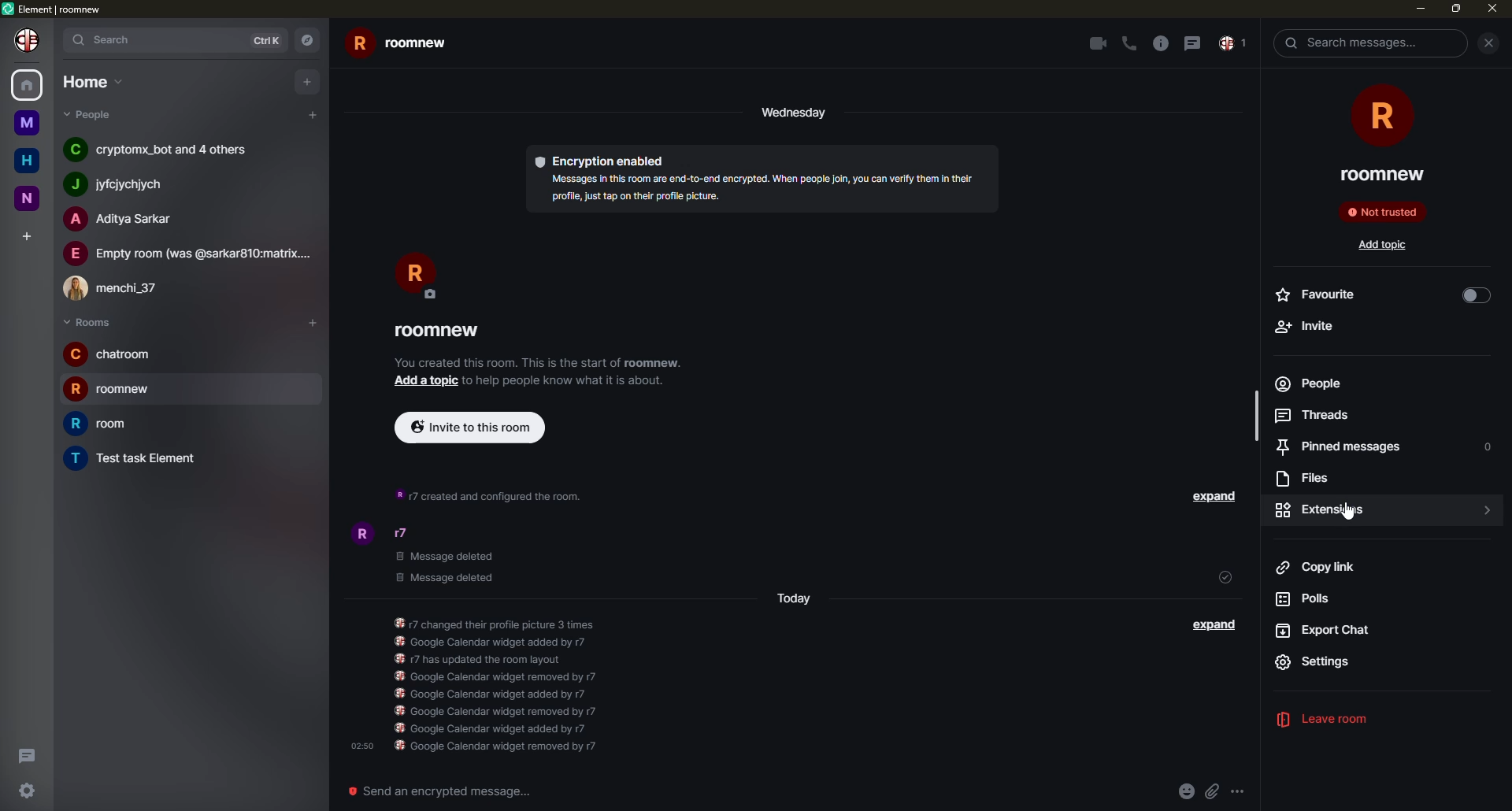 The width and height of the screenshot is (1512, 811). What do you see at coordinates (1223, 576) in the screenshot?
I see `sent` at bounding box center [1223, 576].